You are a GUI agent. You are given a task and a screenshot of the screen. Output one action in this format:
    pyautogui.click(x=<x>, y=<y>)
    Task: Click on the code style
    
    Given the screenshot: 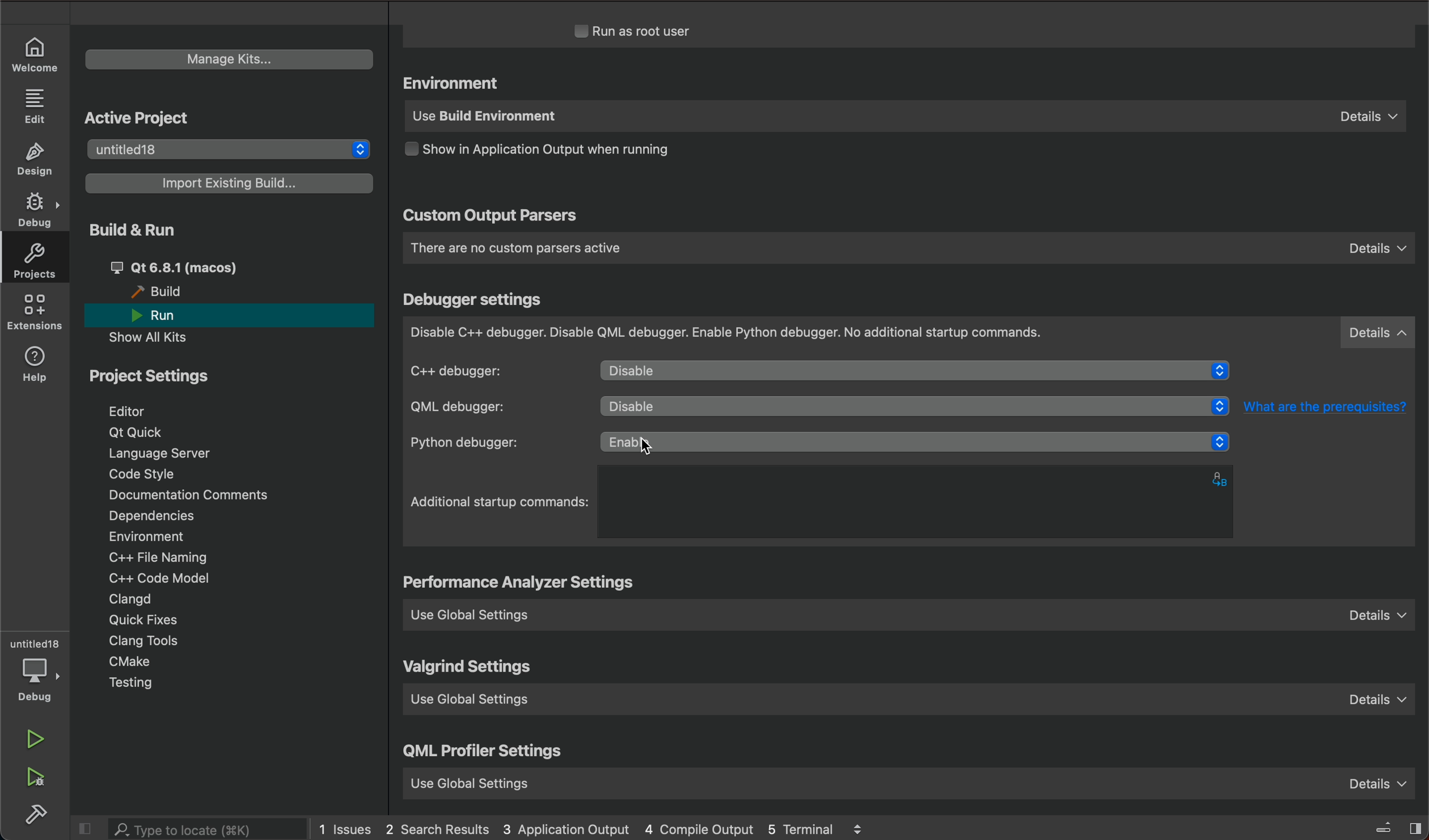 What is the action you would take?
    pyautogui.click(x=144, y=476)
    